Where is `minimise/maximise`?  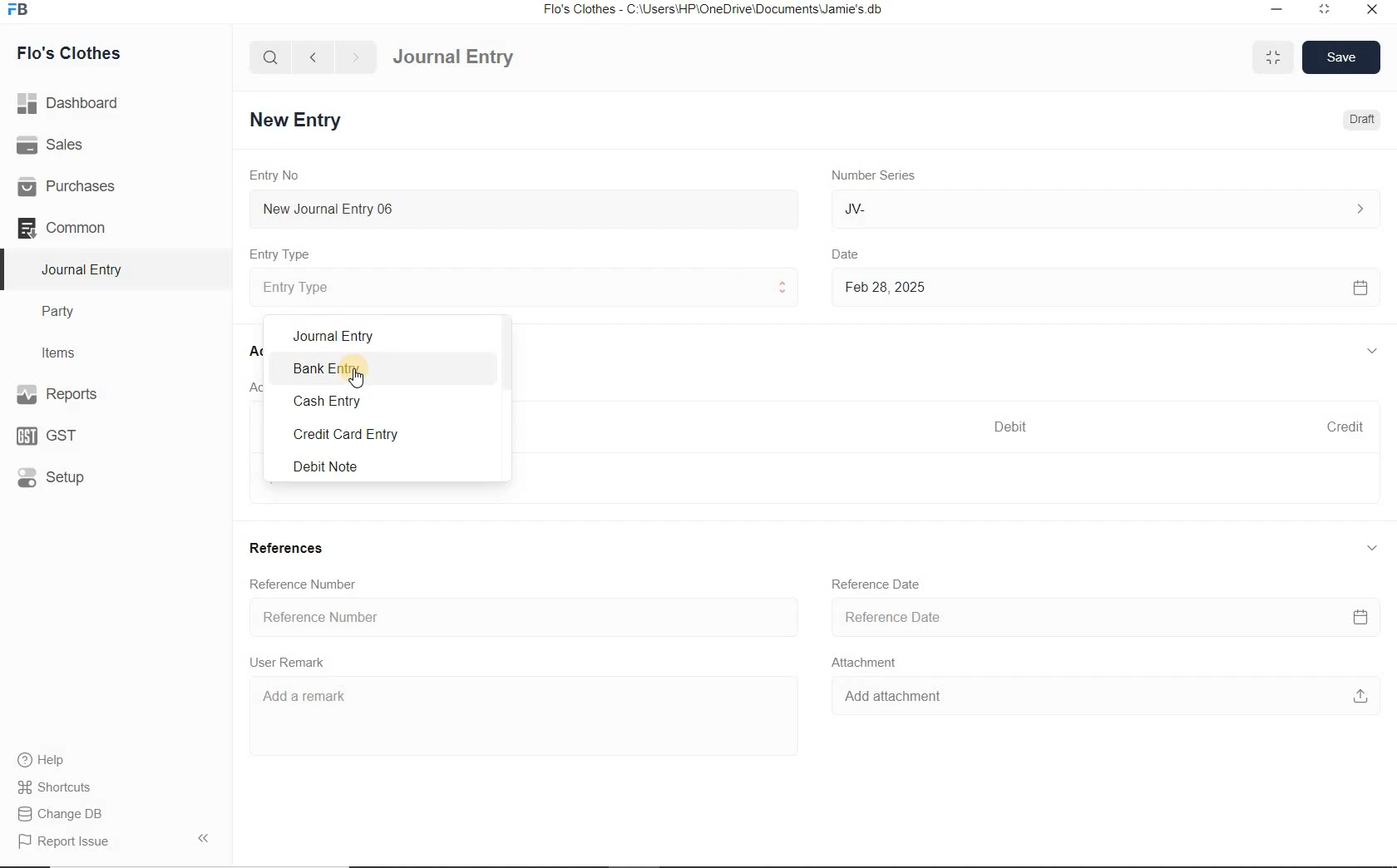 minimise/maximise is located at coordinates (1274, 58).